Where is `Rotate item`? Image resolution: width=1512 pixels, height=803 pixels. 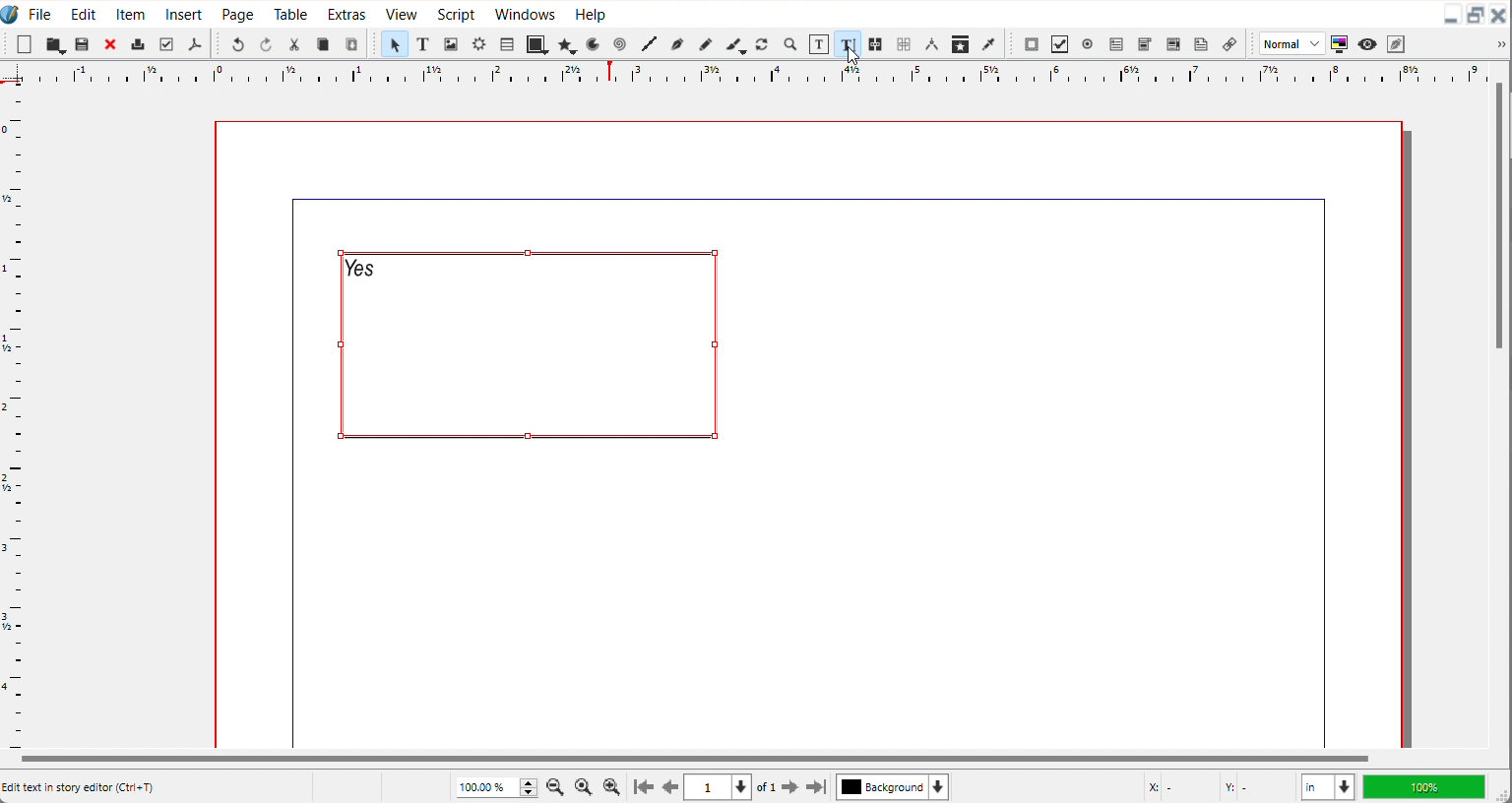
Rotate item is located at coordinates (762, 44).